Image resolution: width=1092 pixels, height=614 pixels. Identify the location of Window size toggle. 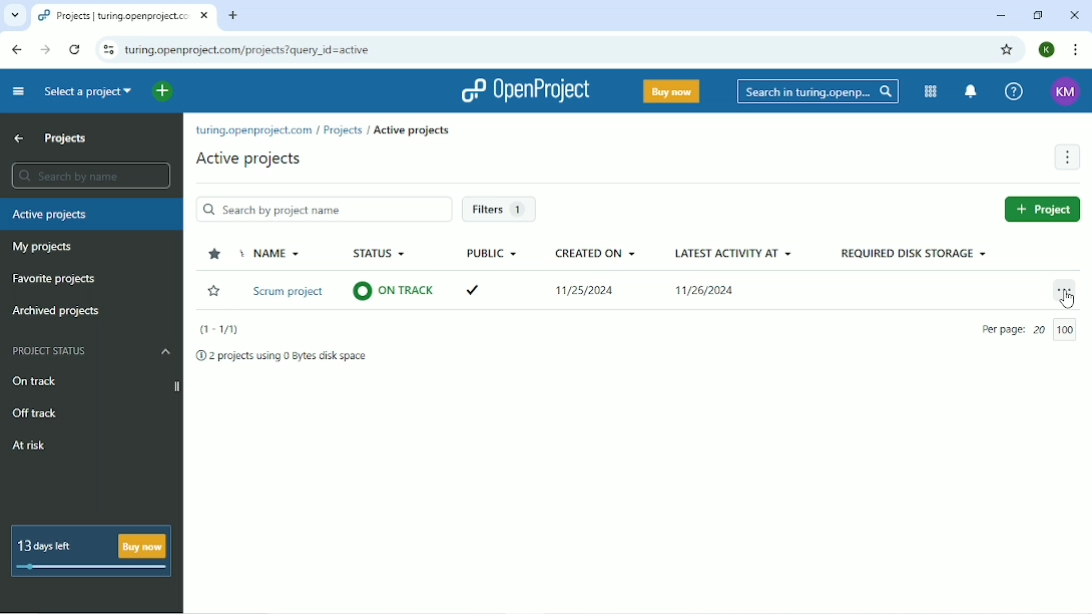
(1038, 15).